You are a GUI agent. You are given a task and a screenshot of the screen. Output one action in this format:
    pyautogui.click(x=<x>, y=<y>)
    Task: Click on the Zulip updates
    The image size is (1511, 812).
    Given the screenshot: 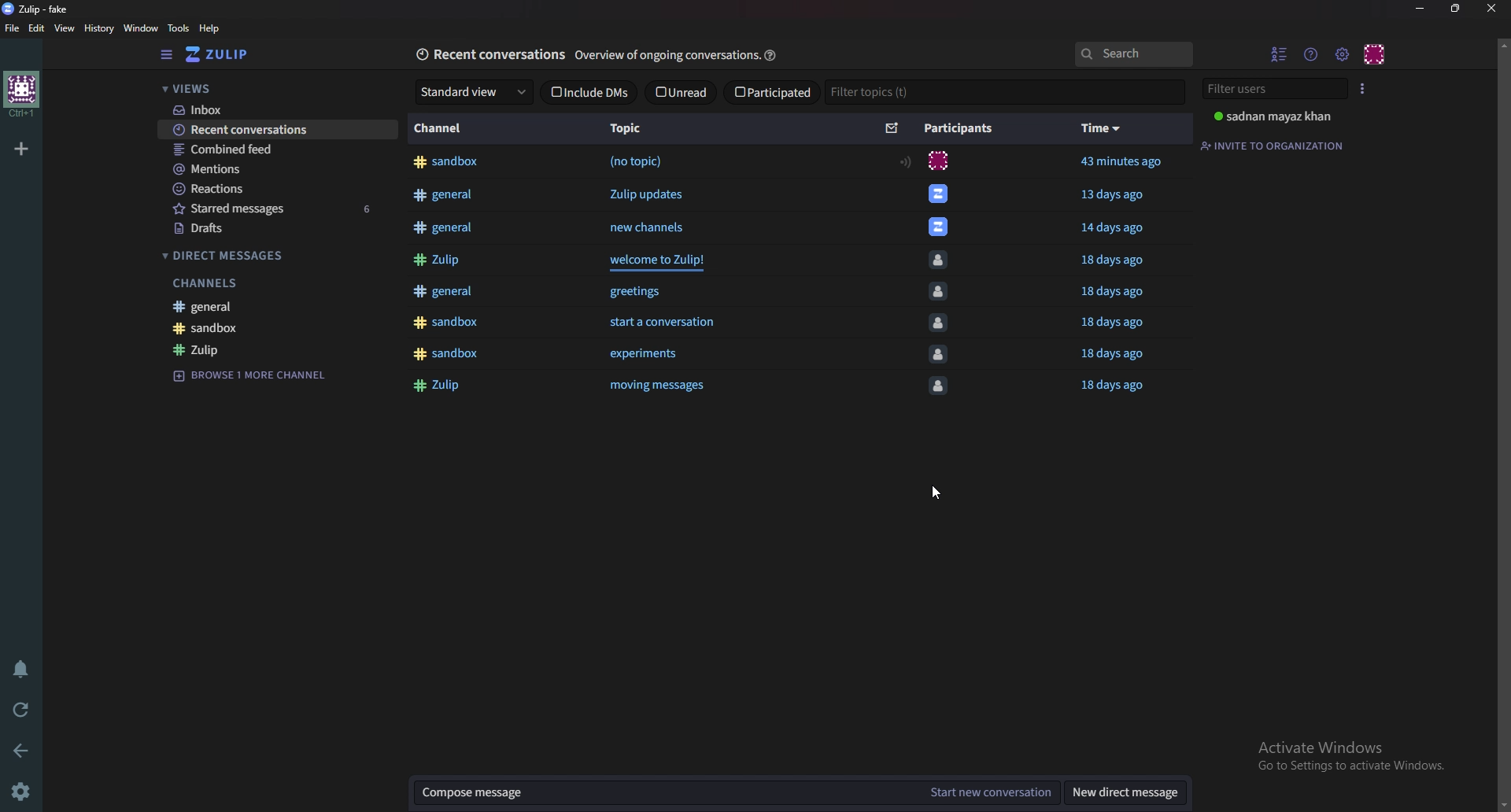 What is the action you would take?
    pyautogui.click(x=645, y=196)
    